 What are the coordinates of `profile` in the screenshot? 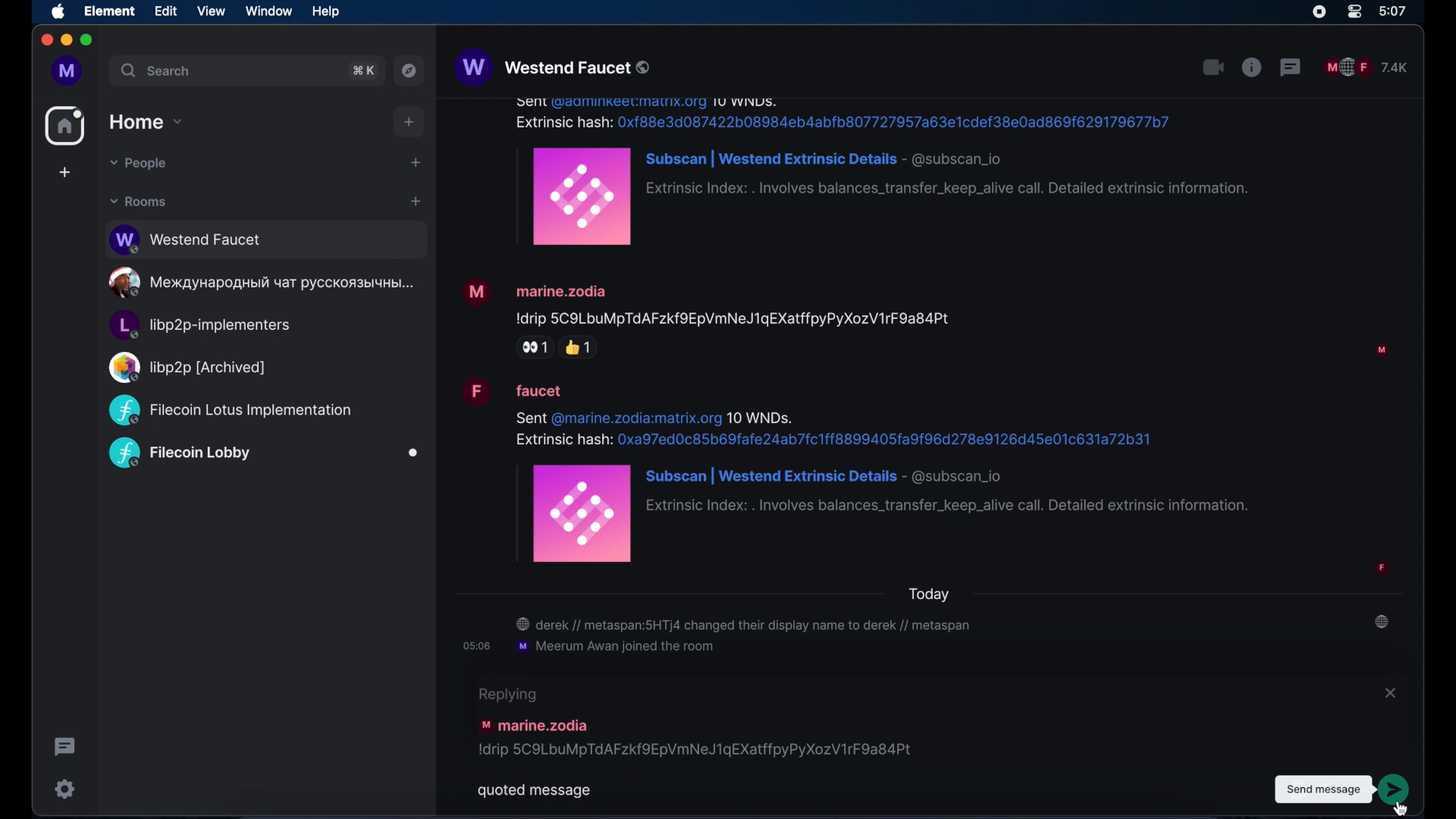 It's located at (66, 71).